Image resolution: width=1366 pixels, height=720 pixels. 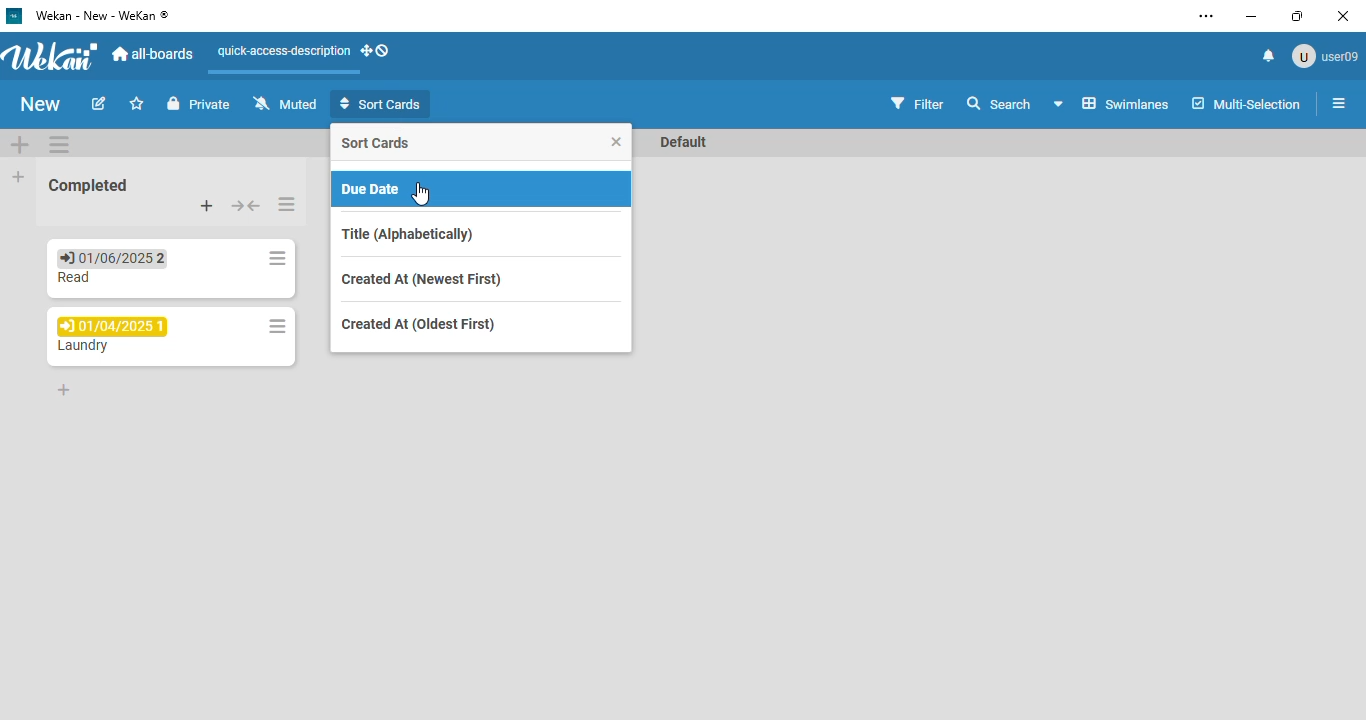 I want to click on multi-selection, so click(x=1246, y=103).